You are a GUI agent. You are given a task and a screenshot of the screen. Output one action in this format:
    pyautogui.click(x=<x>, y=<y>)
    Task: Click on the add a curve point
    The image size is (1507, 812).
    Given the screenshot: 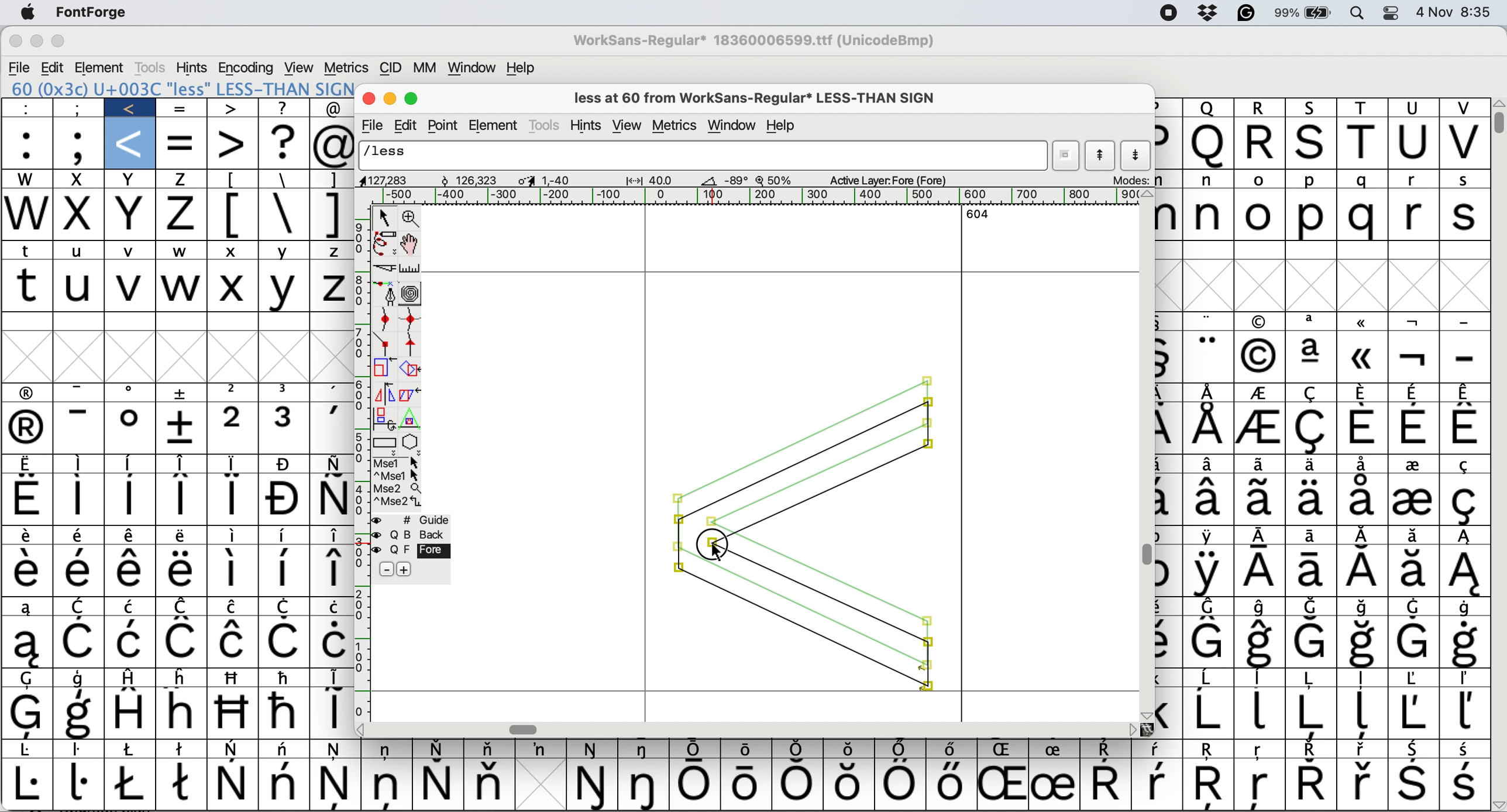 What is the action you would take?
    pyautogui.click(x=384, y=317)
    